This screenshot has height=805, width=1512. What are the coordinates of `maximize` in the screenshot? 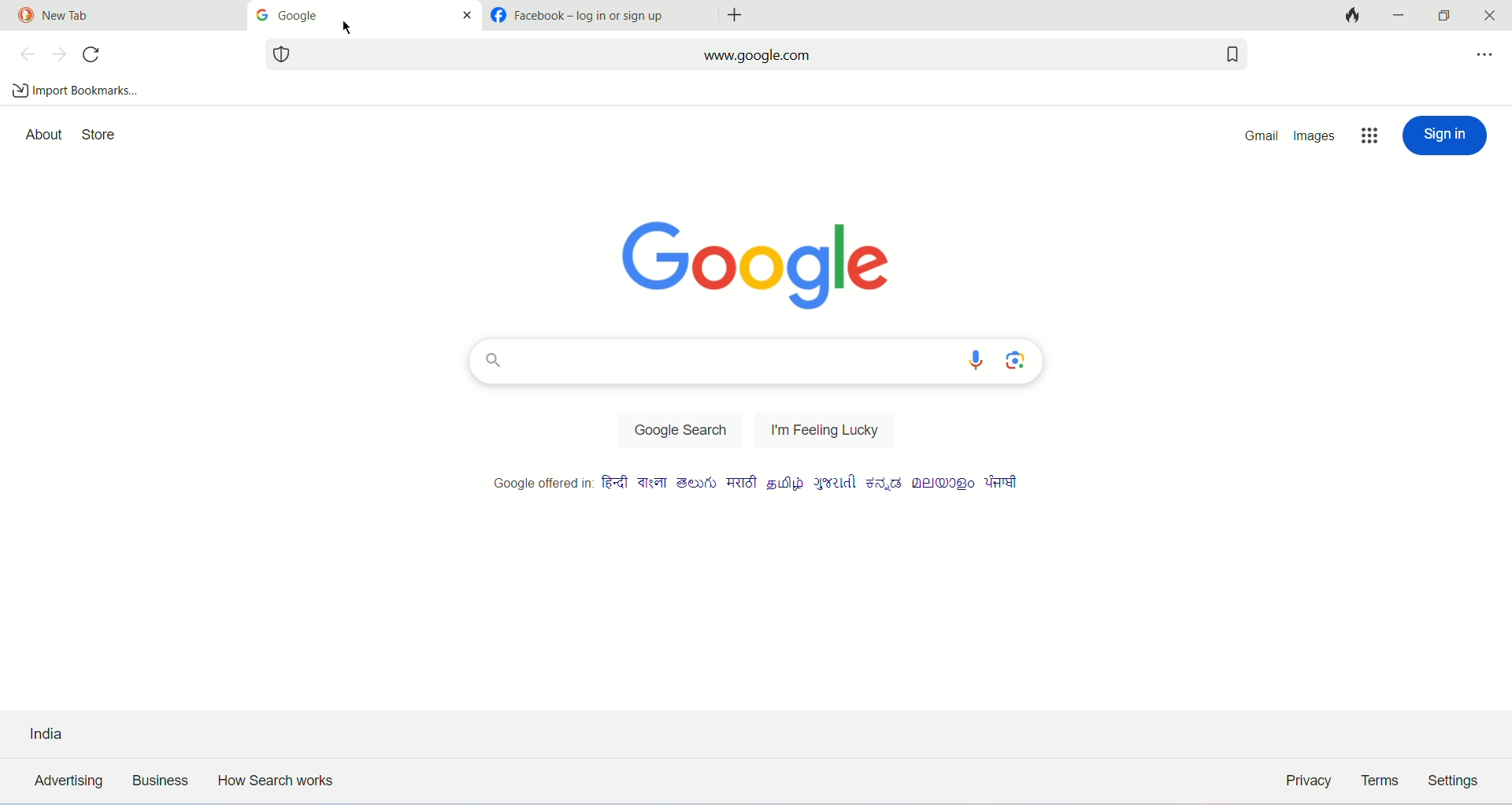 It's located at (1443, 17).